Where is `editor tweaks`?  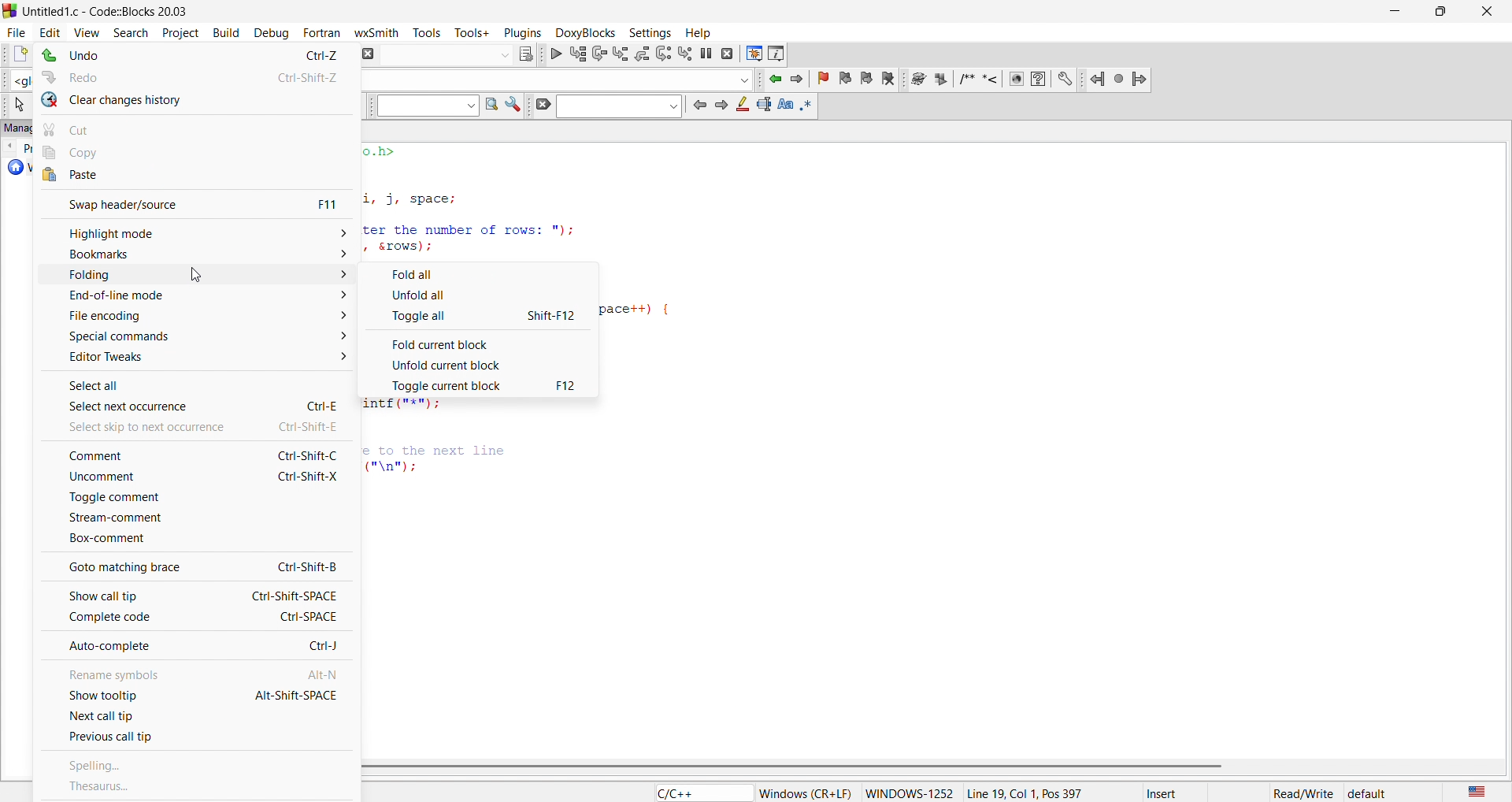 editor tweaks is located at coordinates (198, 358).